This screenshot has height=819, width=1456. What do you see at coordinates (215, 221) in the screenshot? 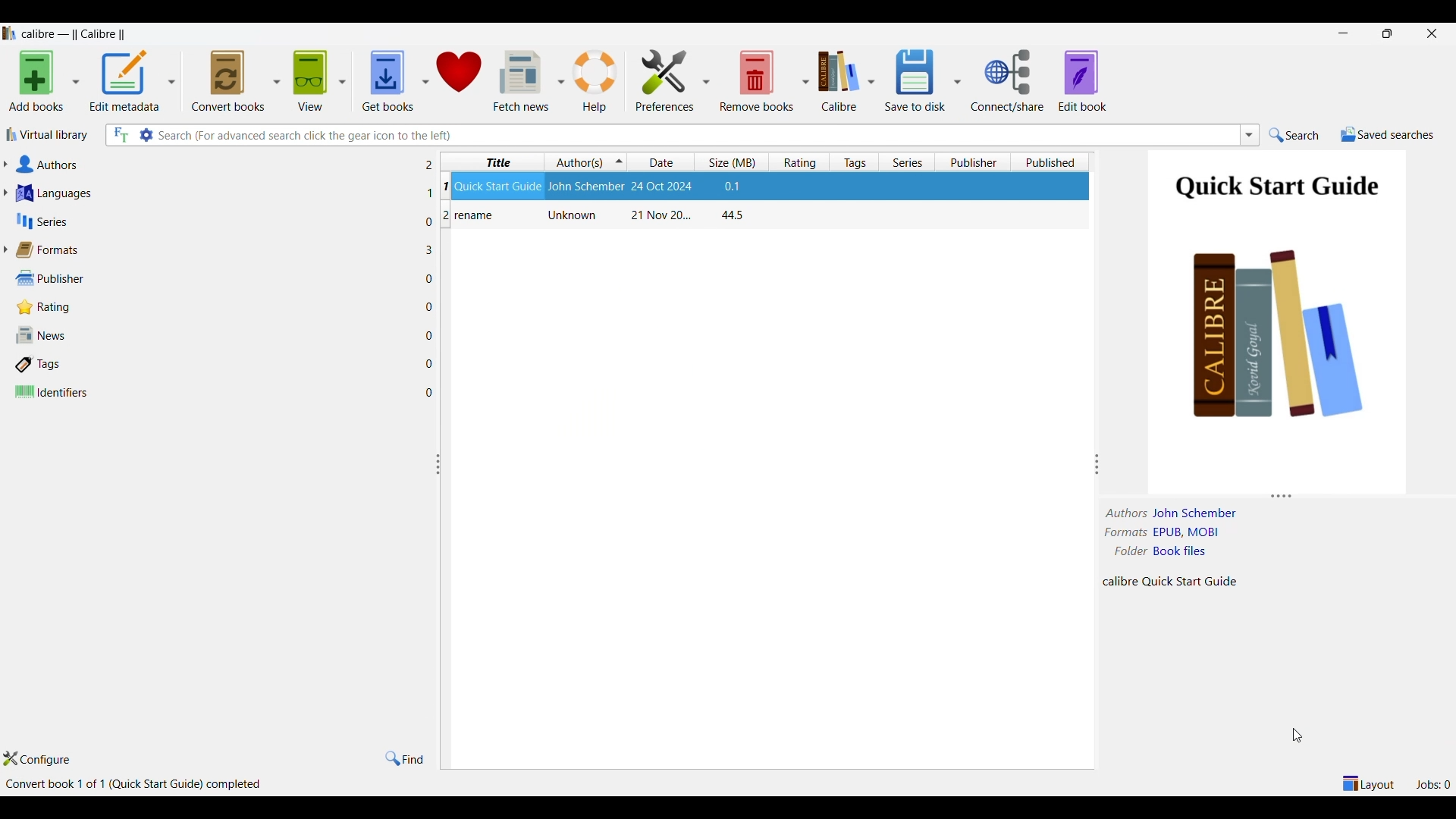
I see `Series` at bounding box center [215, 221].